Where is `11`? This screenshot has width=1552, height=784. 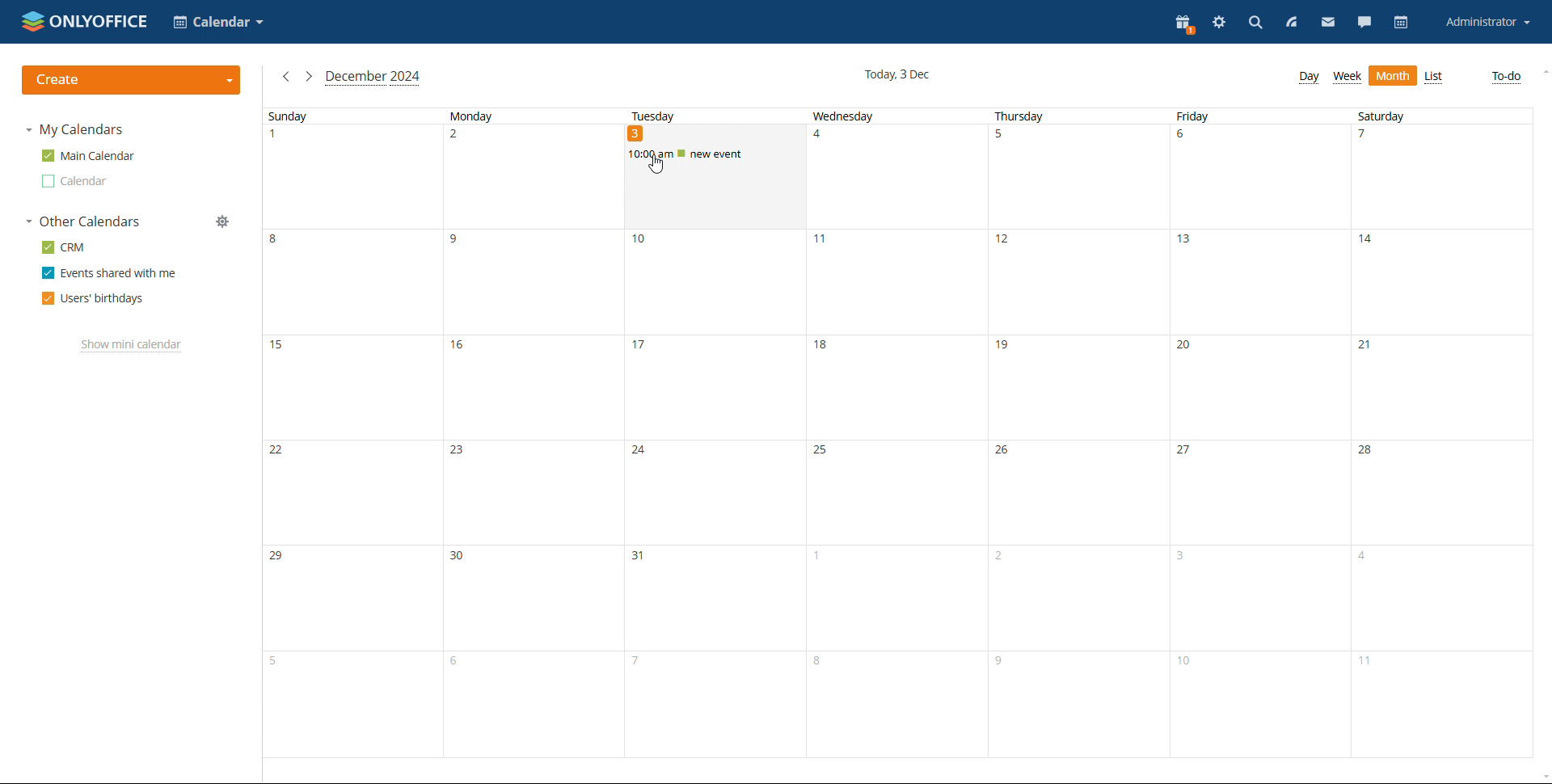
11 is located at coordinates (1443, 703).